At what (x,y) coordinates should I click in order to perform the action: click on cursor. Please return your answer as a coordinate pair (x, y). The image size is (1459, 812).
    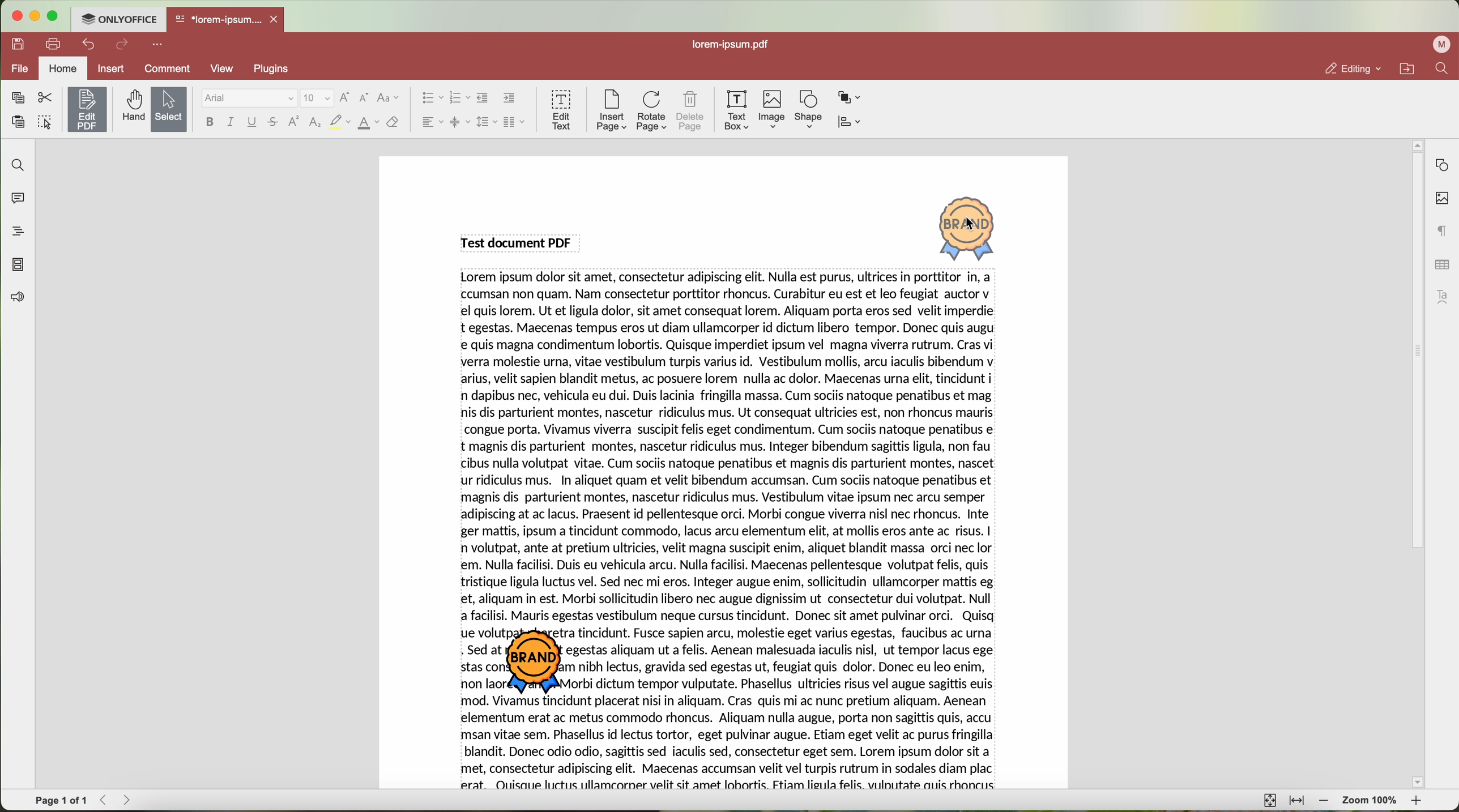
    Looking at the image, I should click on (973, 225).